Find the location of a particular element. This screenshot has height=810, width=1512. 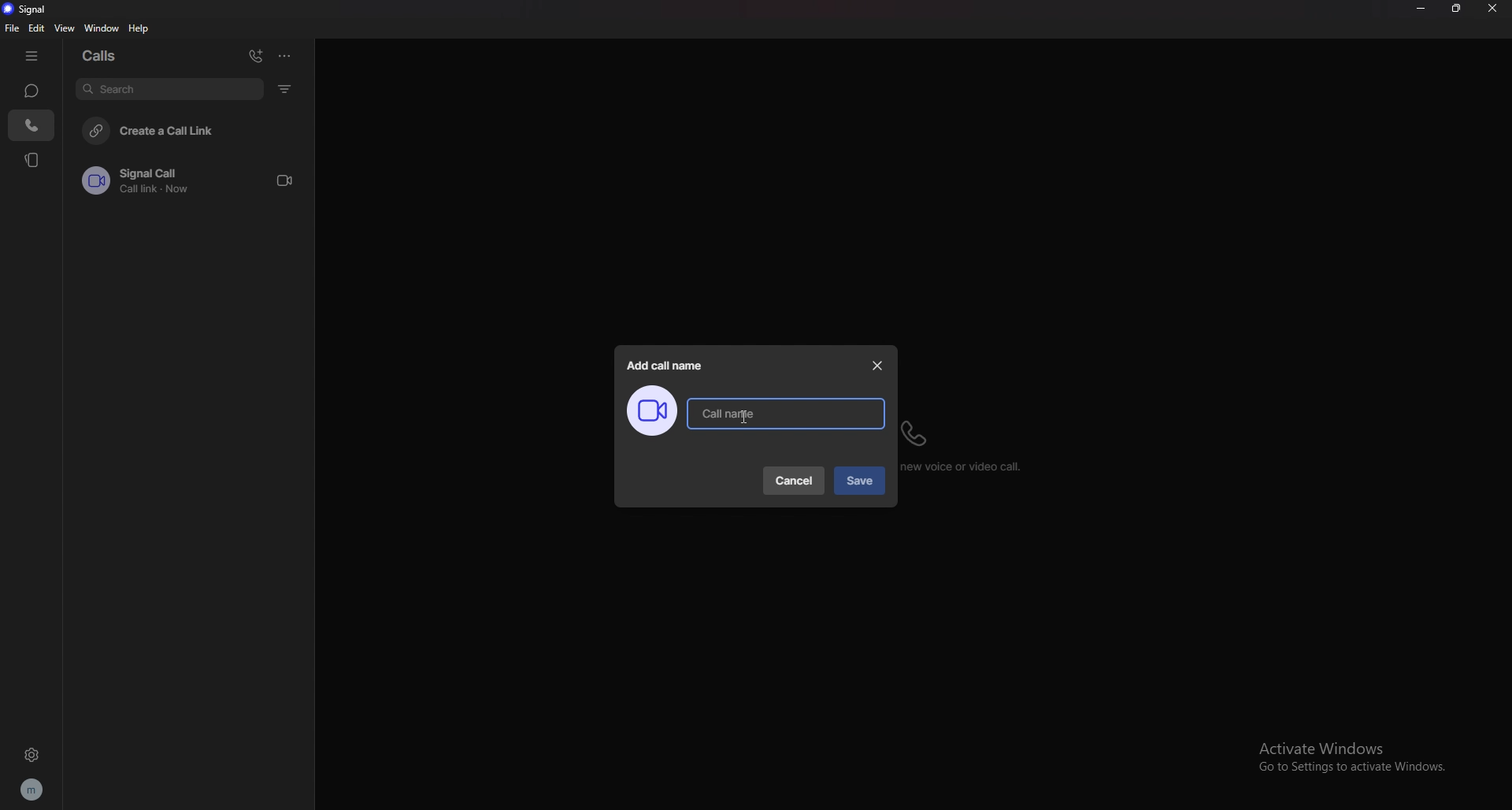

file is located at coordinates (13, 28).